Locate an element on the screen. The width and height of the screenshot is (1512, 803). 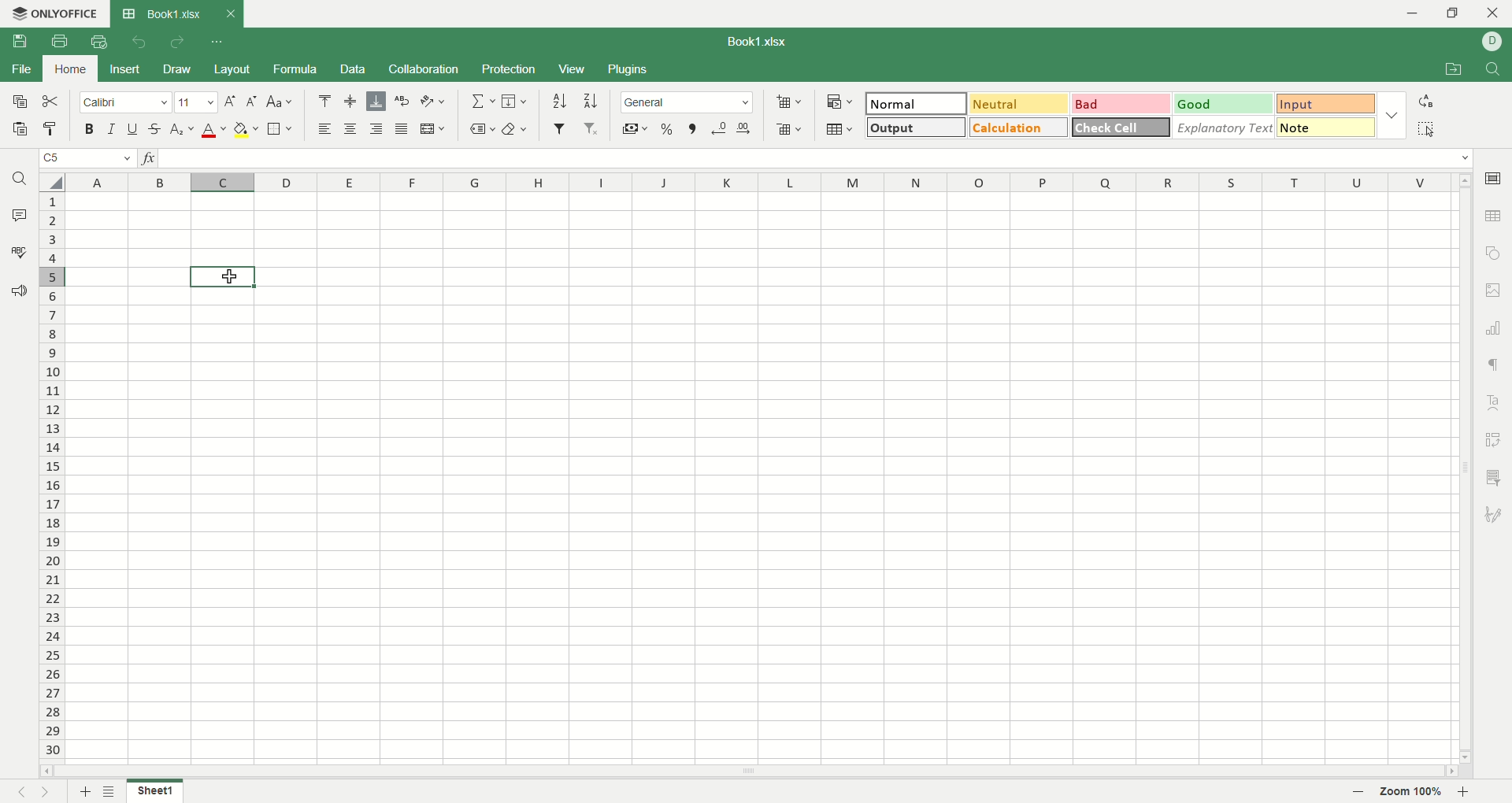
comma style is located at coordinates (692, 128).